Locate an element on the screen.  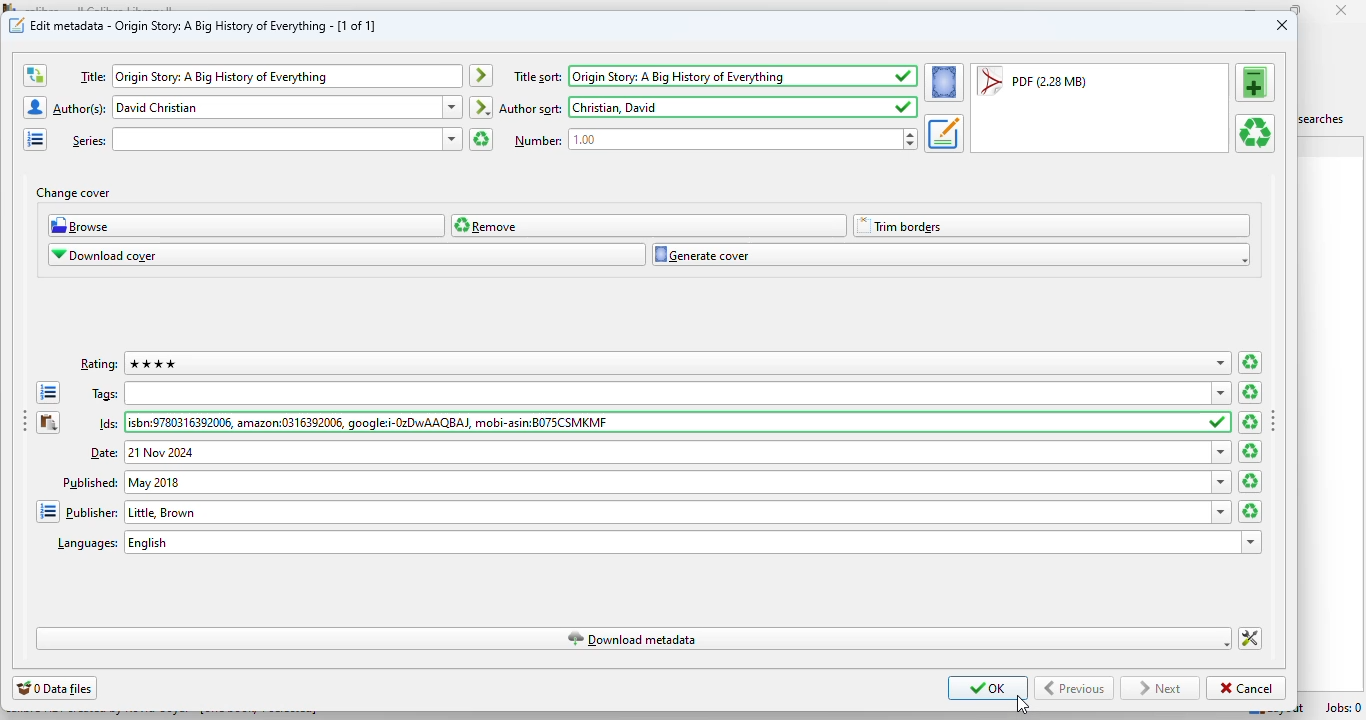
clear series is located at coordinates (481, 139).